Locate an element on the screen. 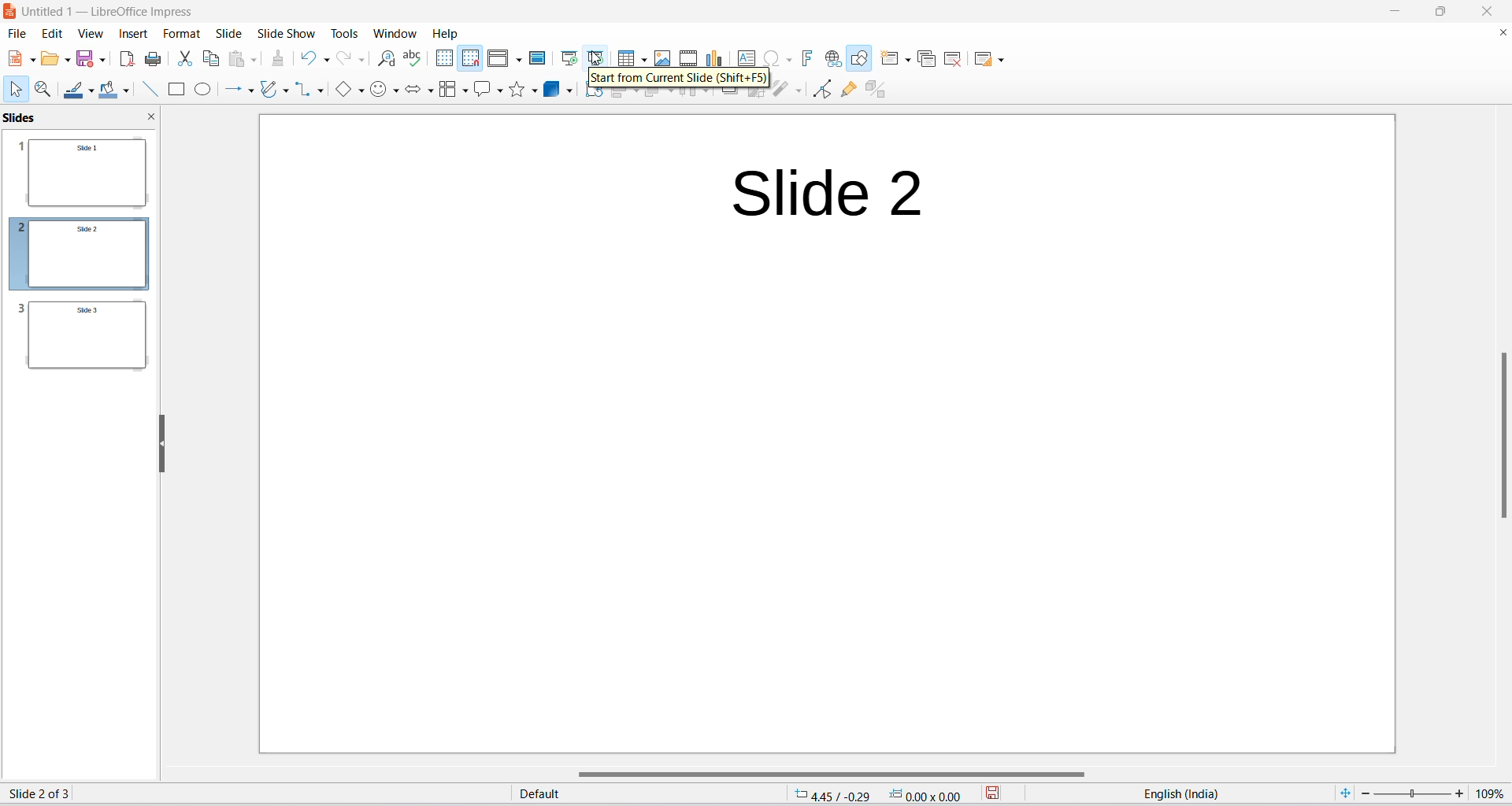 This screenshot has height=806, width=1512. hover text is located at coordinates (682, 79).